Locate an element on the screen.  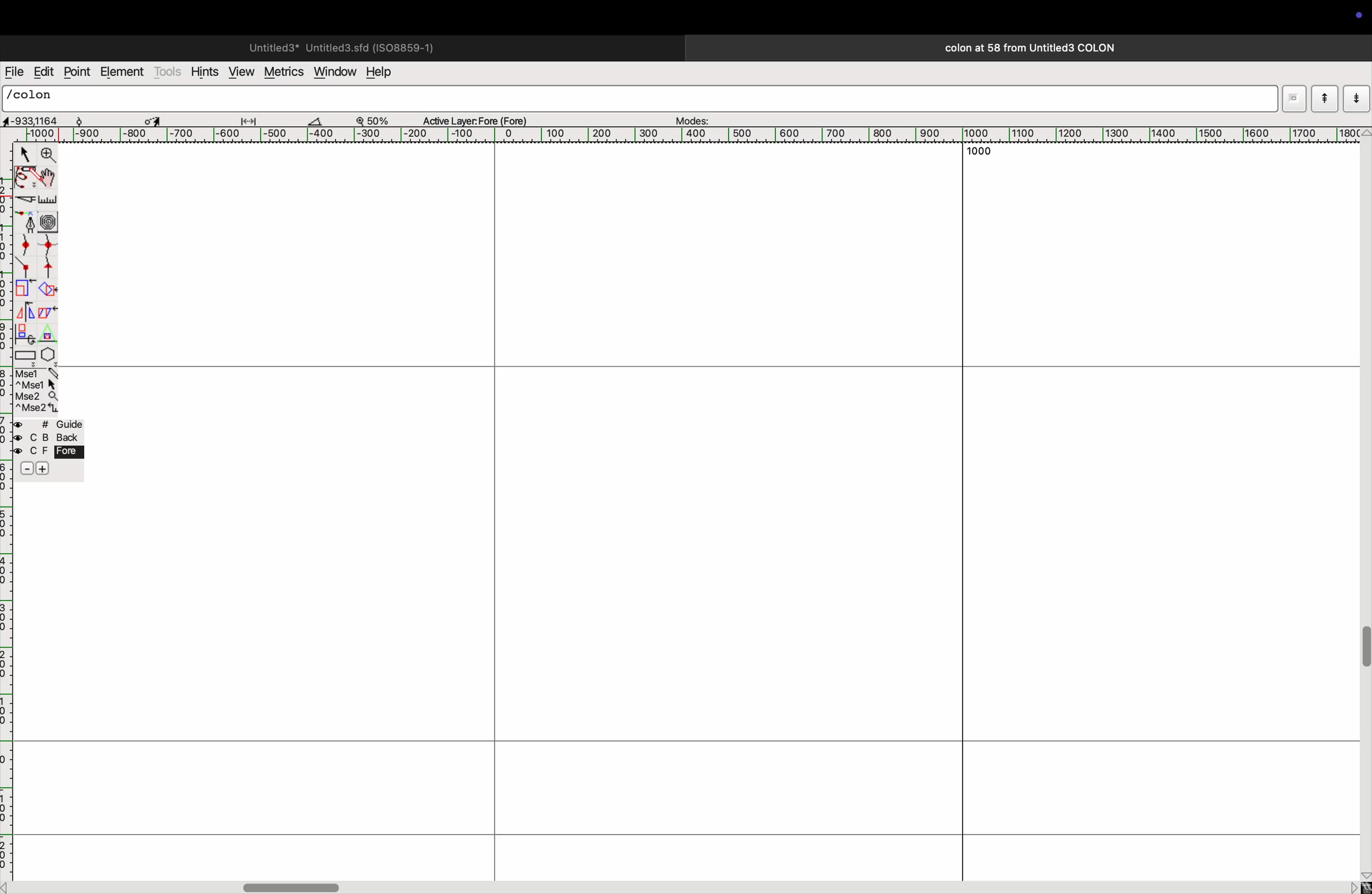
aspect ratio is located at coordinates (31, 121).